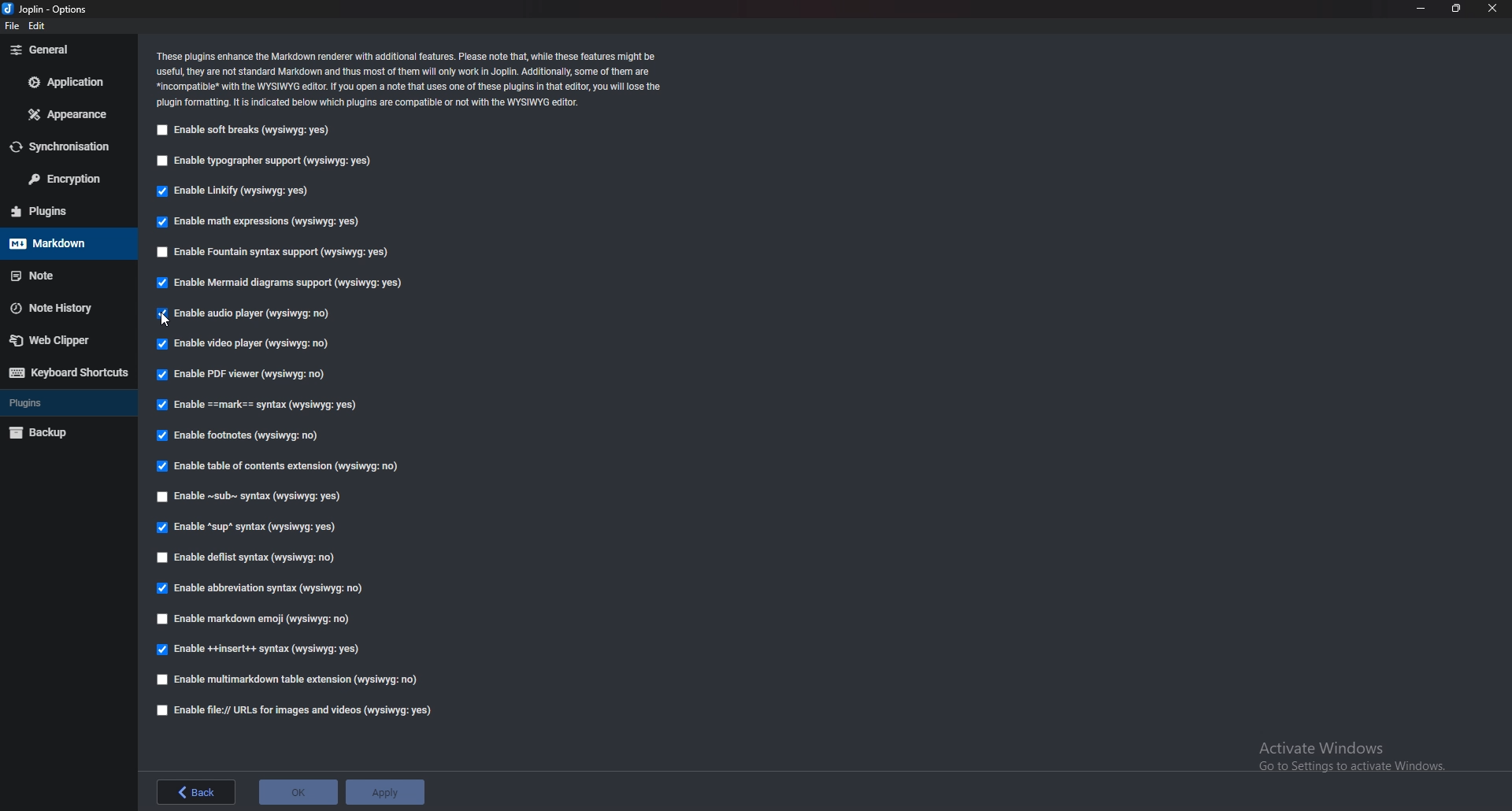  Describe the element at coordinates (239, 438) in the screenshot. I see `Enable footnotes` at that location.